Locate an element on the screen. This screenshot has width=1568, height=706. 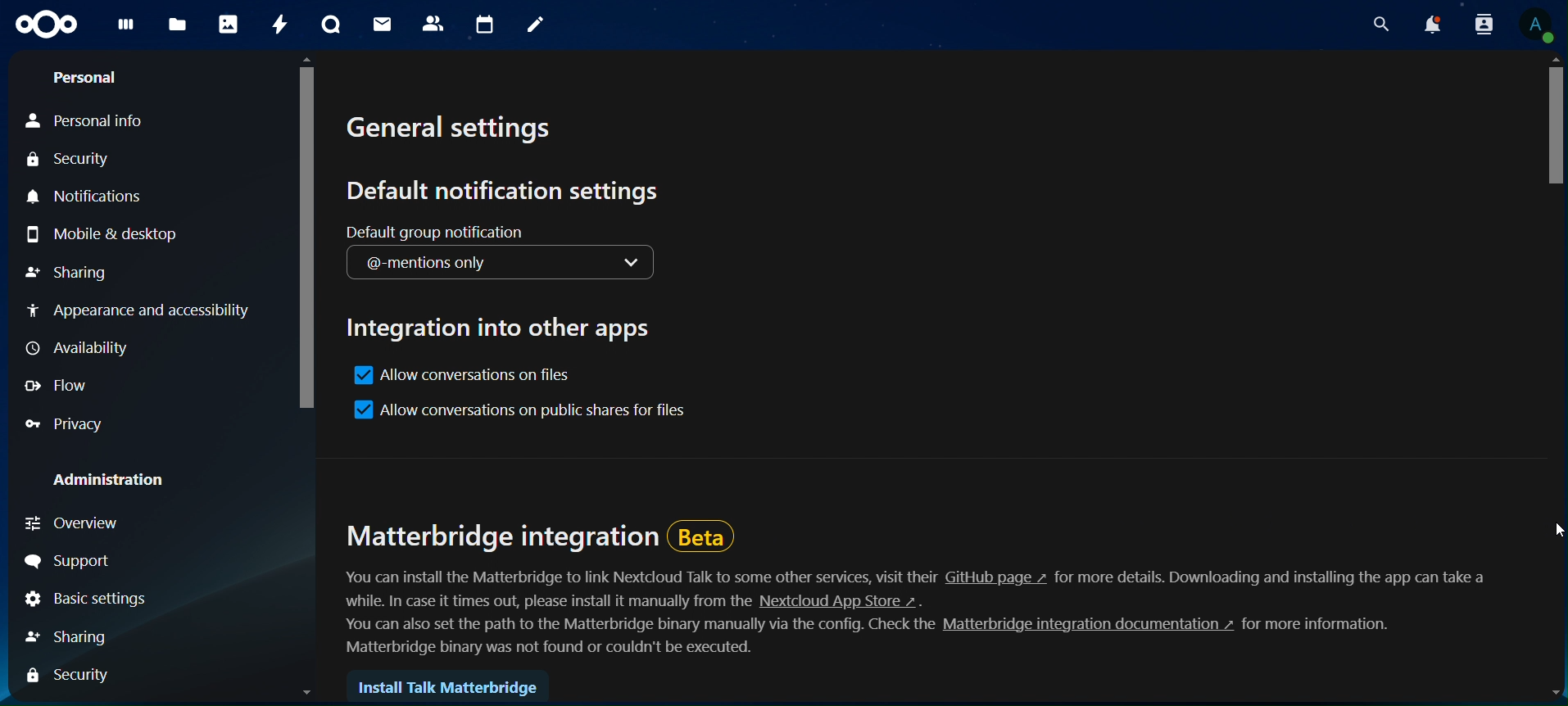
Cursor is located at coordinates (1555, 530).